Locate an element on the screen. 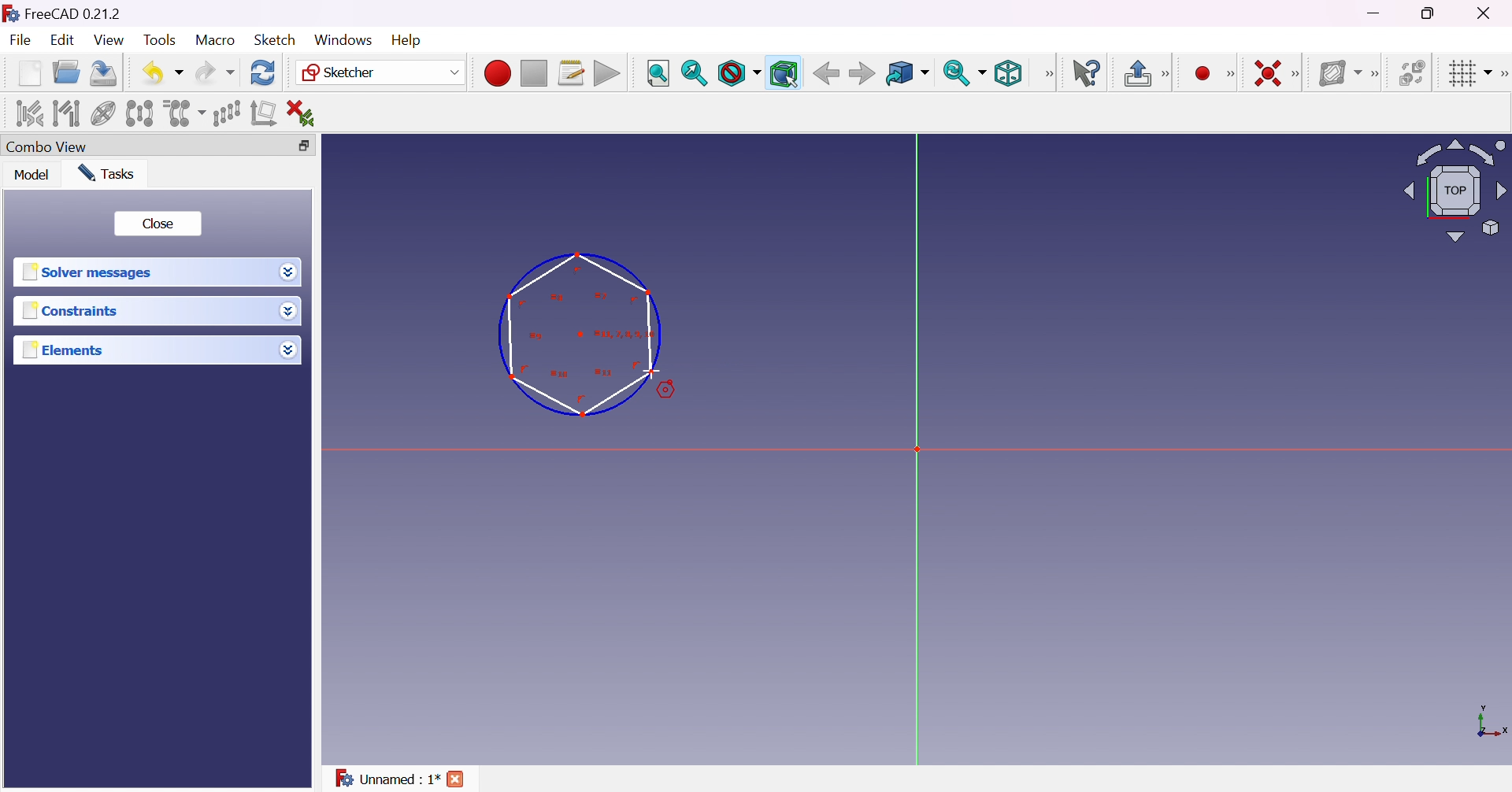 Image resolution: width=1512 pixels, height=792 pixels. Drop down is located at coordinates (287, 270).